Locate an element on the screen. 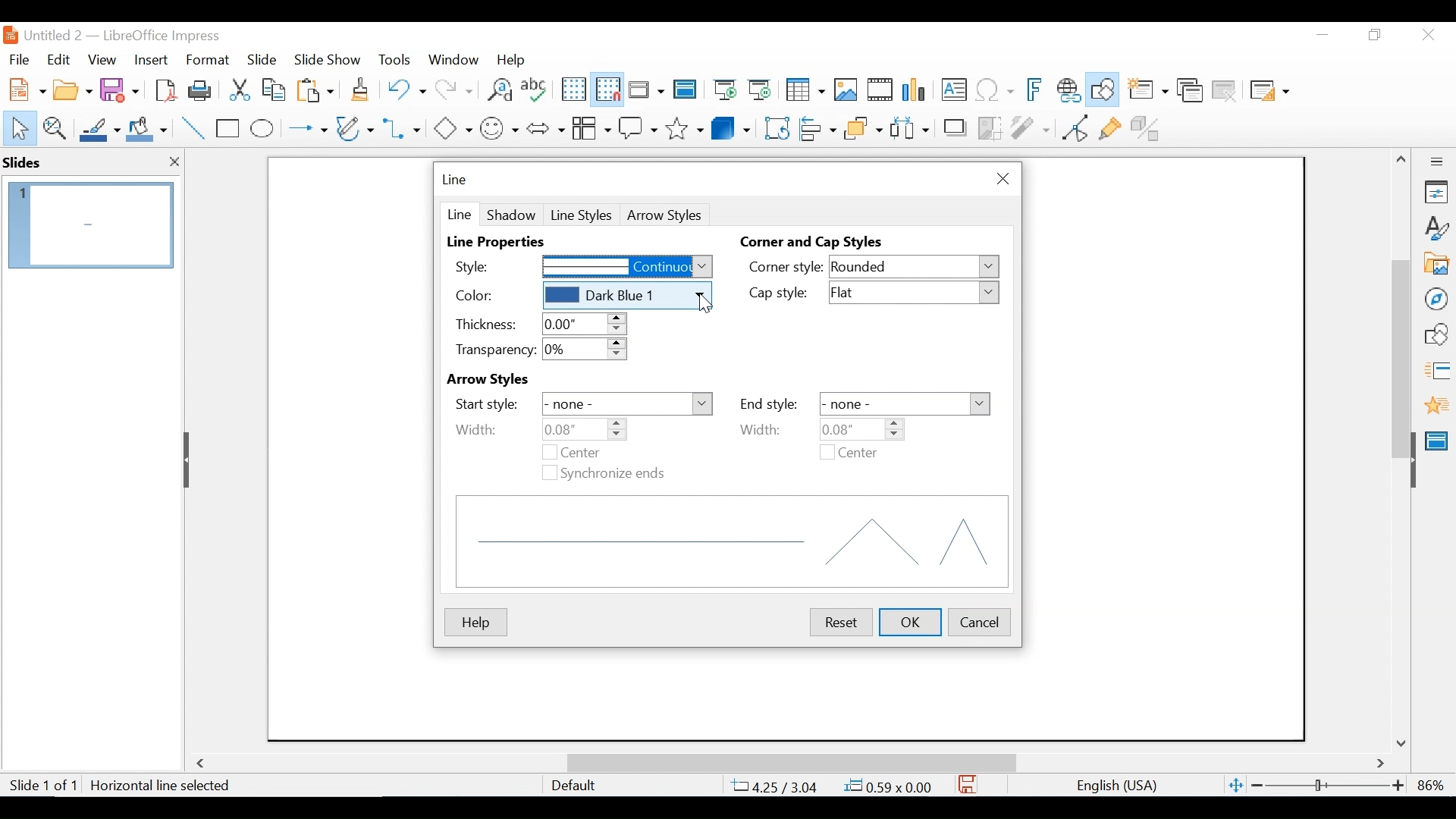 This screenshot has height=819, width=1456. Arrange is located at coordinates (861, 127).